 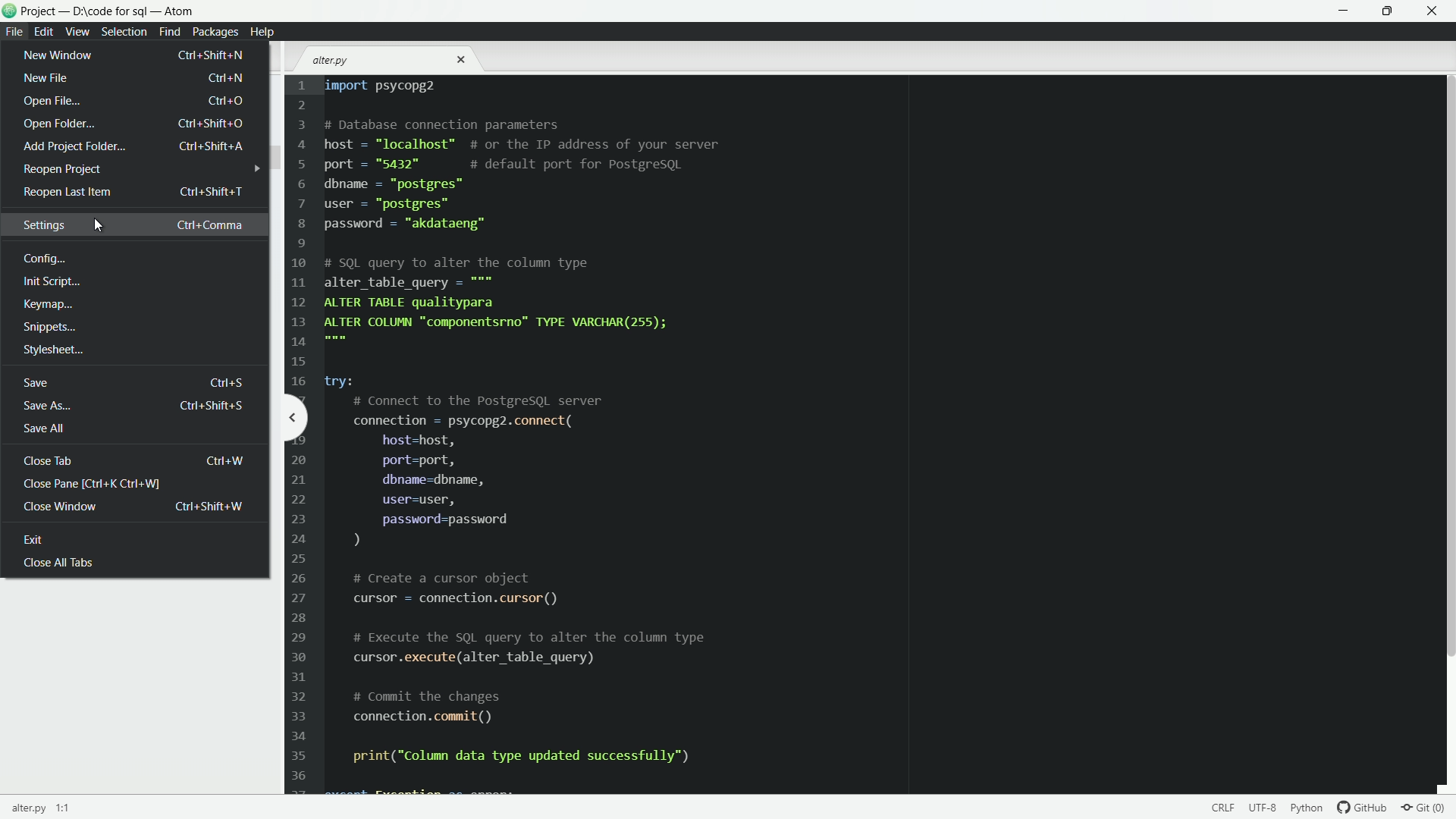 What do you see at coordinates (1345, 11) in the screenshot?
I see `minimize` at bounding box center [1345, 11].